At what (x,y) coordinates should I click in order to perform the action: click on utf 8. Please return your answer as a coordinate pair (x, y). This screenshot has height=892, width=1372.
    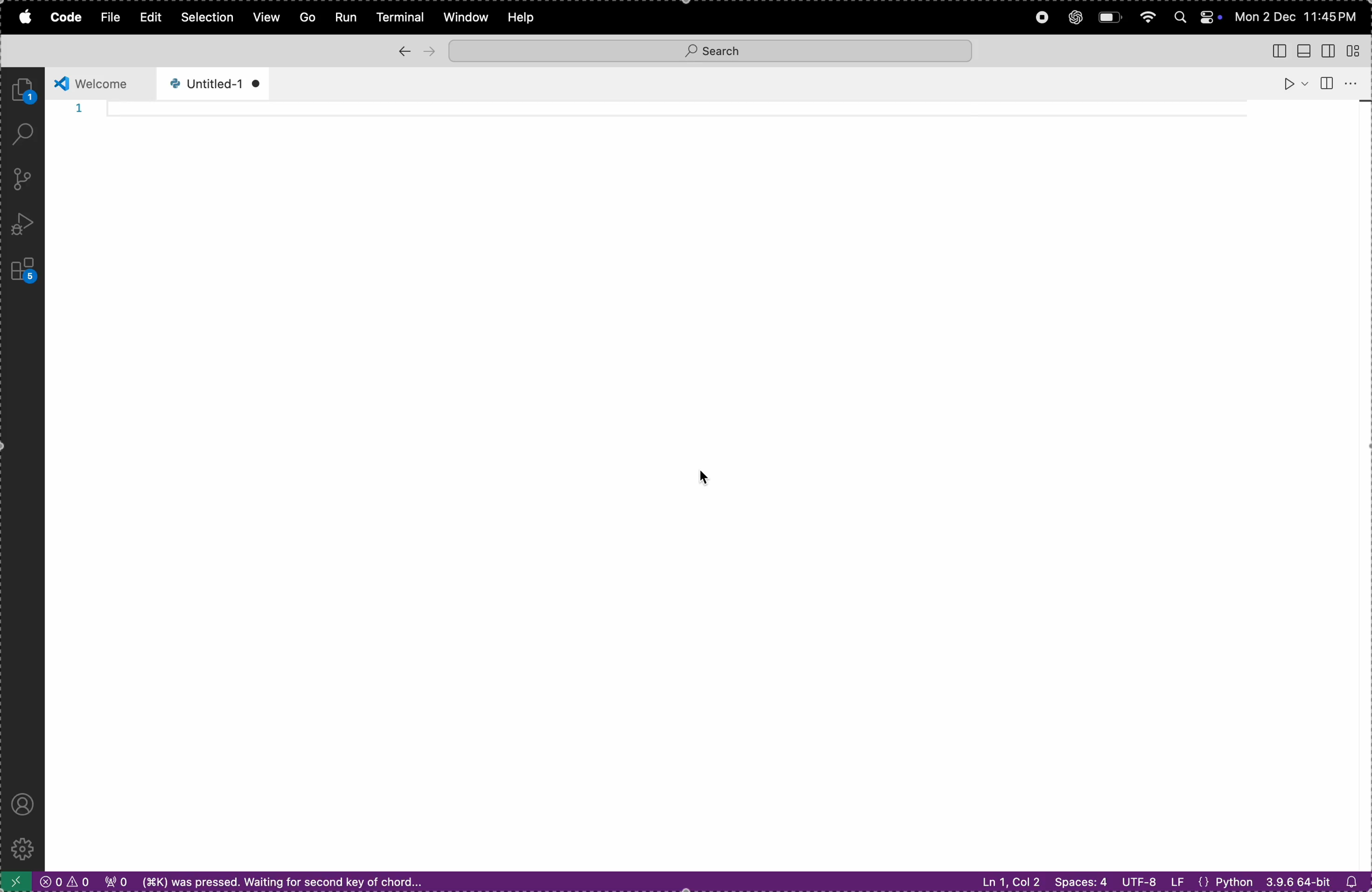
    Looking at the image, I should click on (1152, 881).